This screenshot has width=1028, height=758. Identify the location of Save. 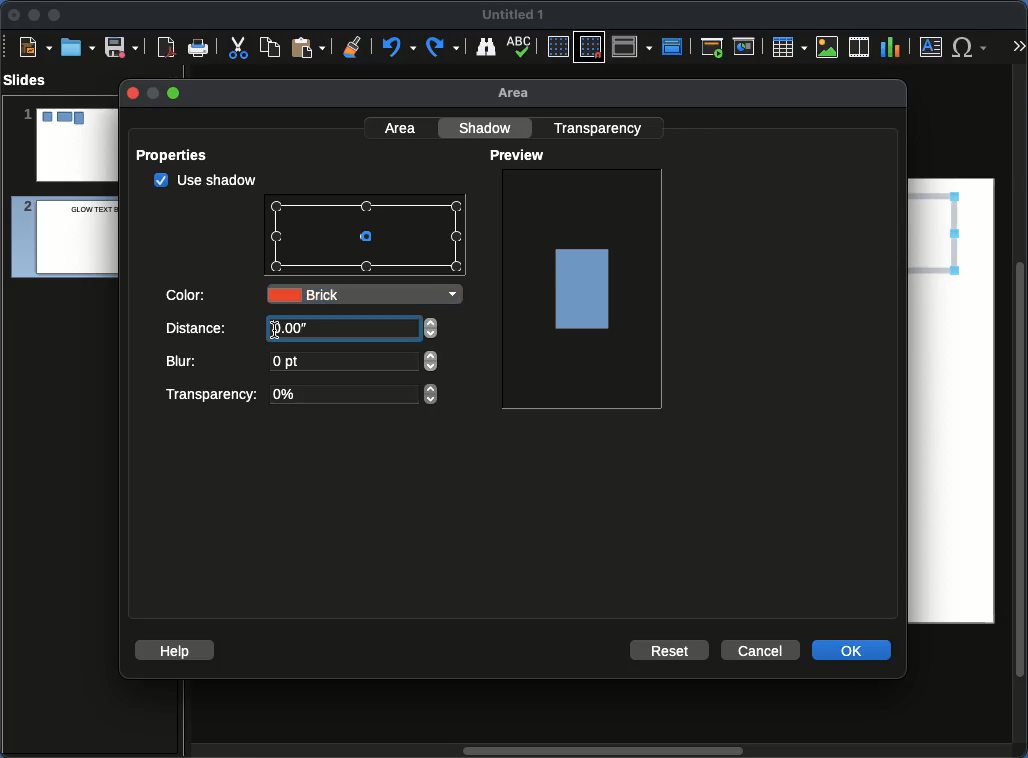
(123, 46).